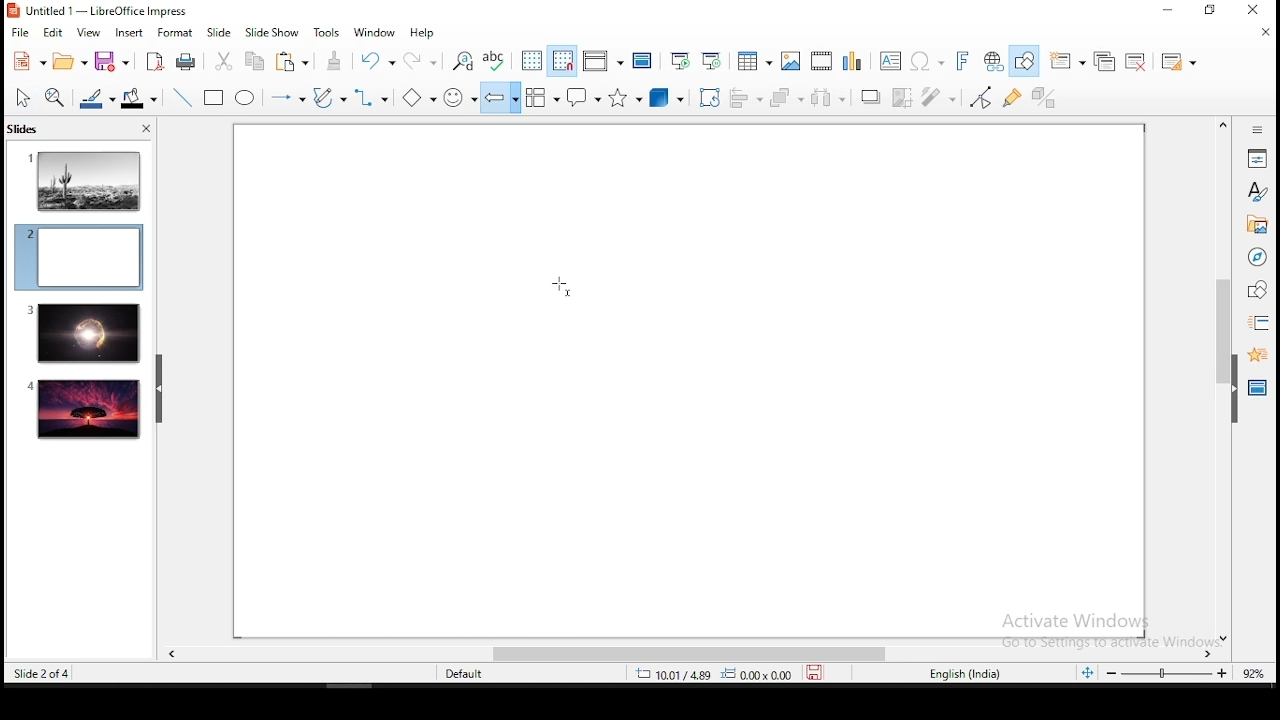 This screenshot has width=1280, height=720. Describe the element at coordinates (424, 33) in the screenshot. I see `help` at that location.